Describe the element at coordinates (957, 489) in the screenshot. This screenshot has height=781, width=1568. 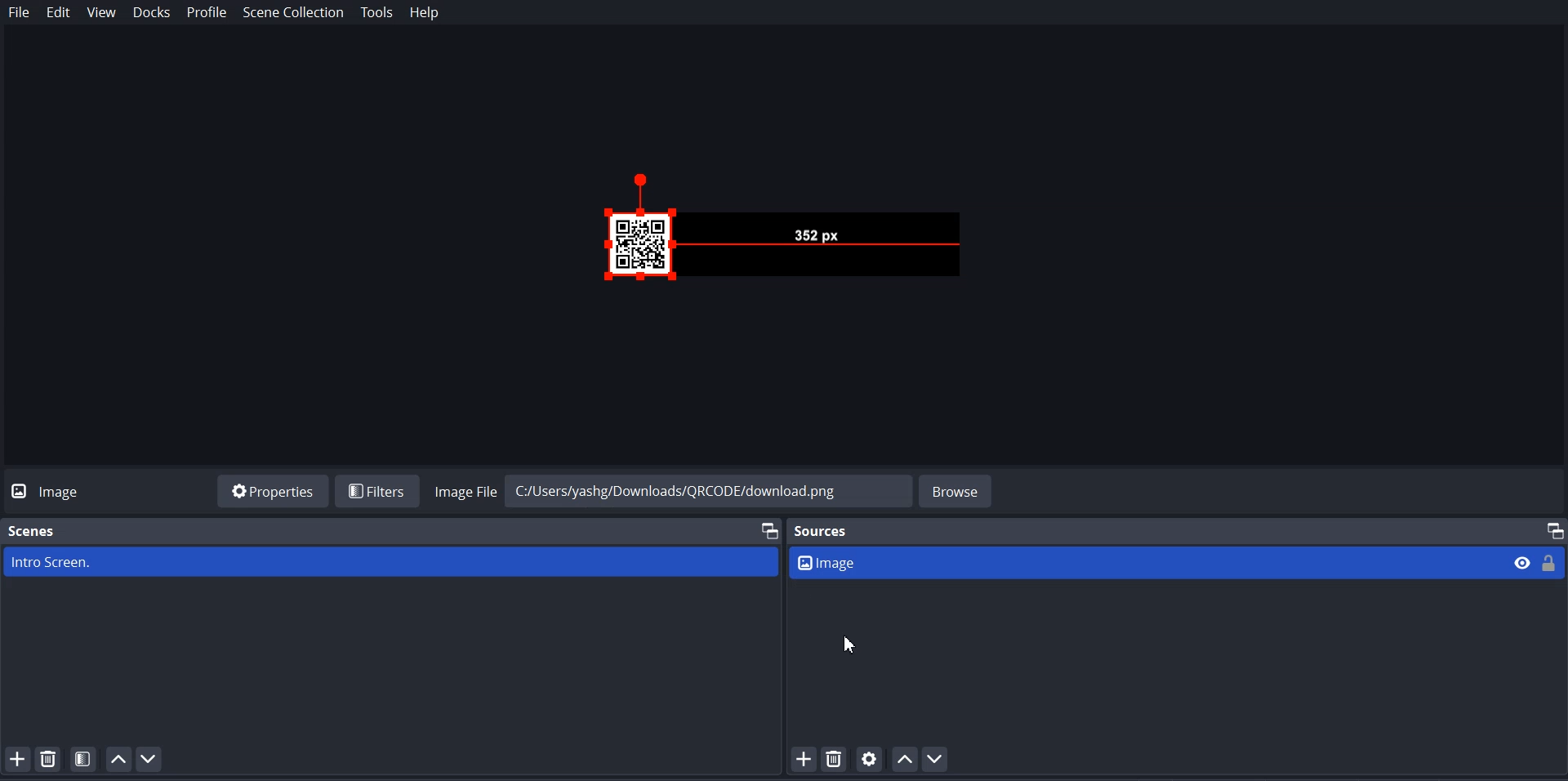
I see `Browse` at that location.